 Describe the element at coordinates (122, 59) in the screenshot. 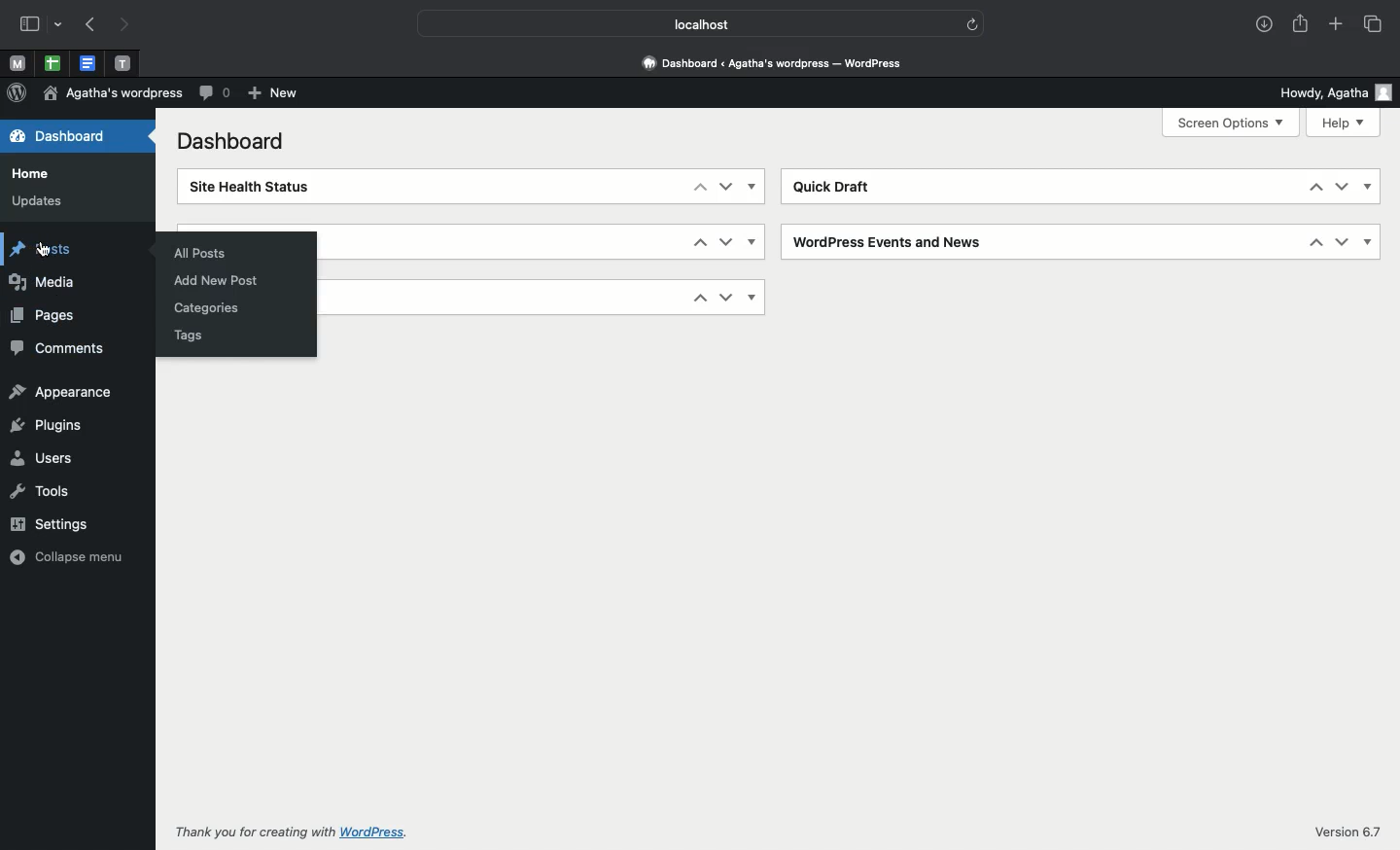

I see `text tab` at that location.